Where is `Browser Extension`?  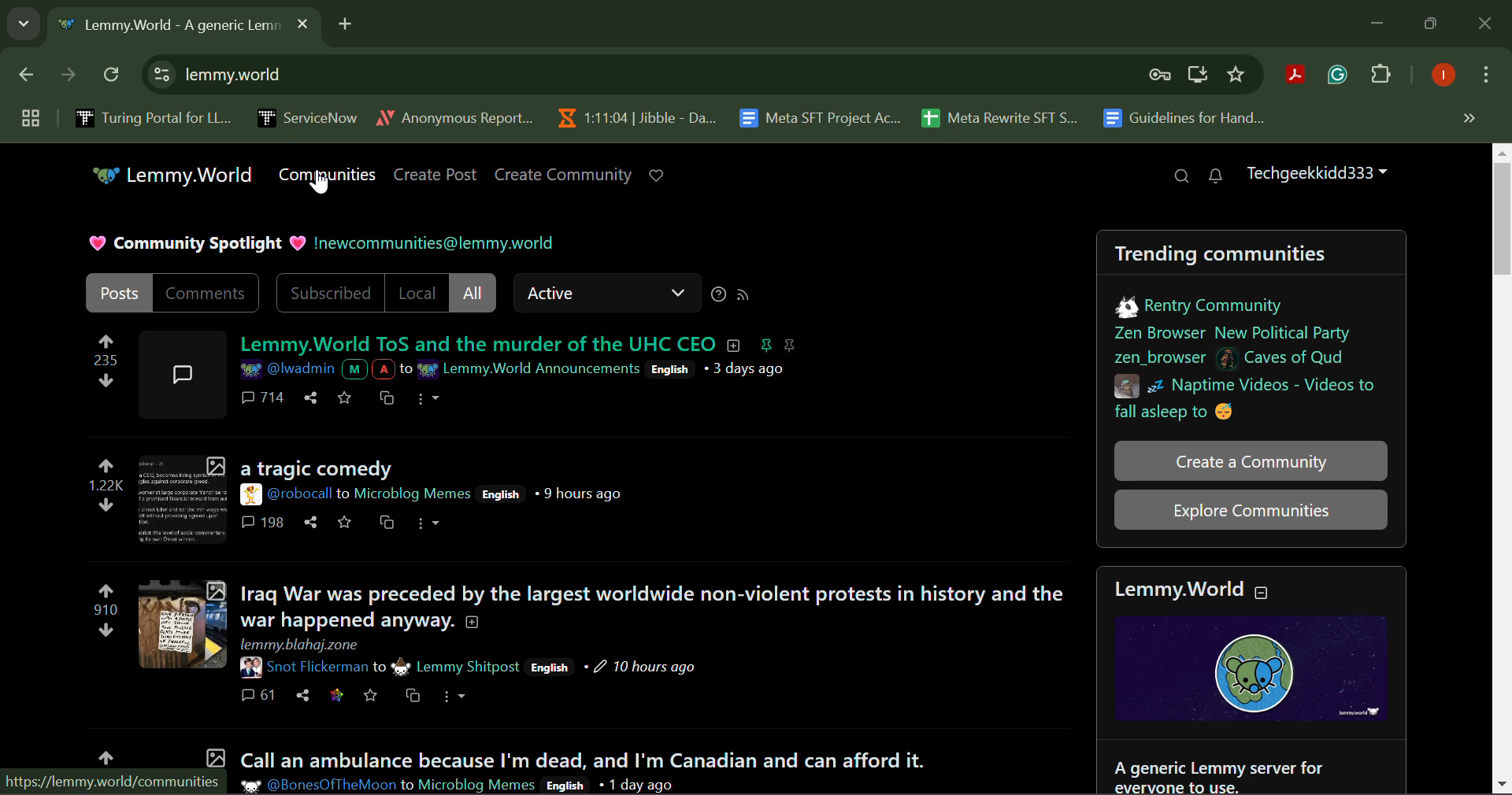 Browser Extension is located at coordinates (1341, 76).